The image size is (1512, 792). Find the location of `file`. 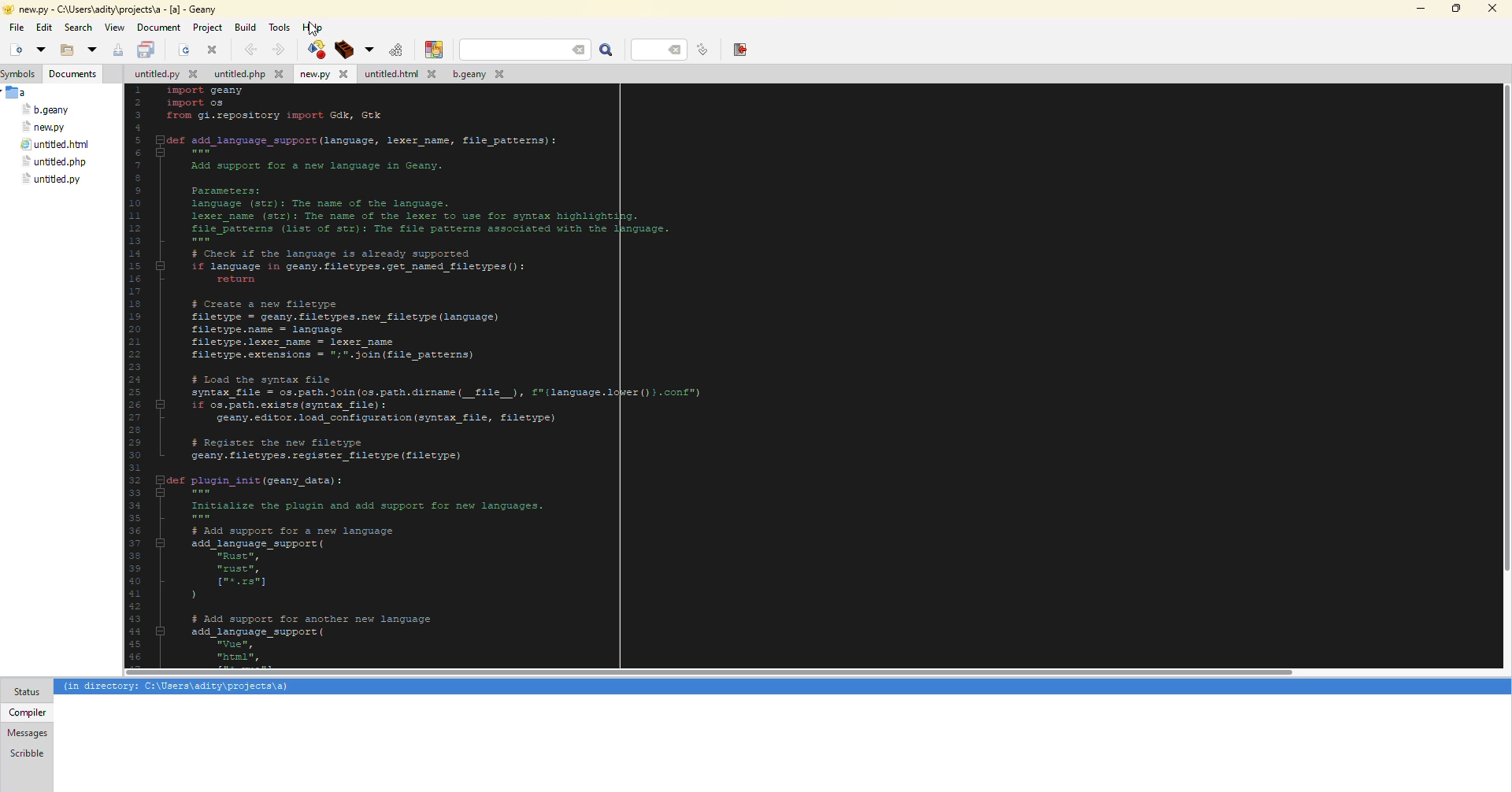

file is located at coordinates (248, 76).